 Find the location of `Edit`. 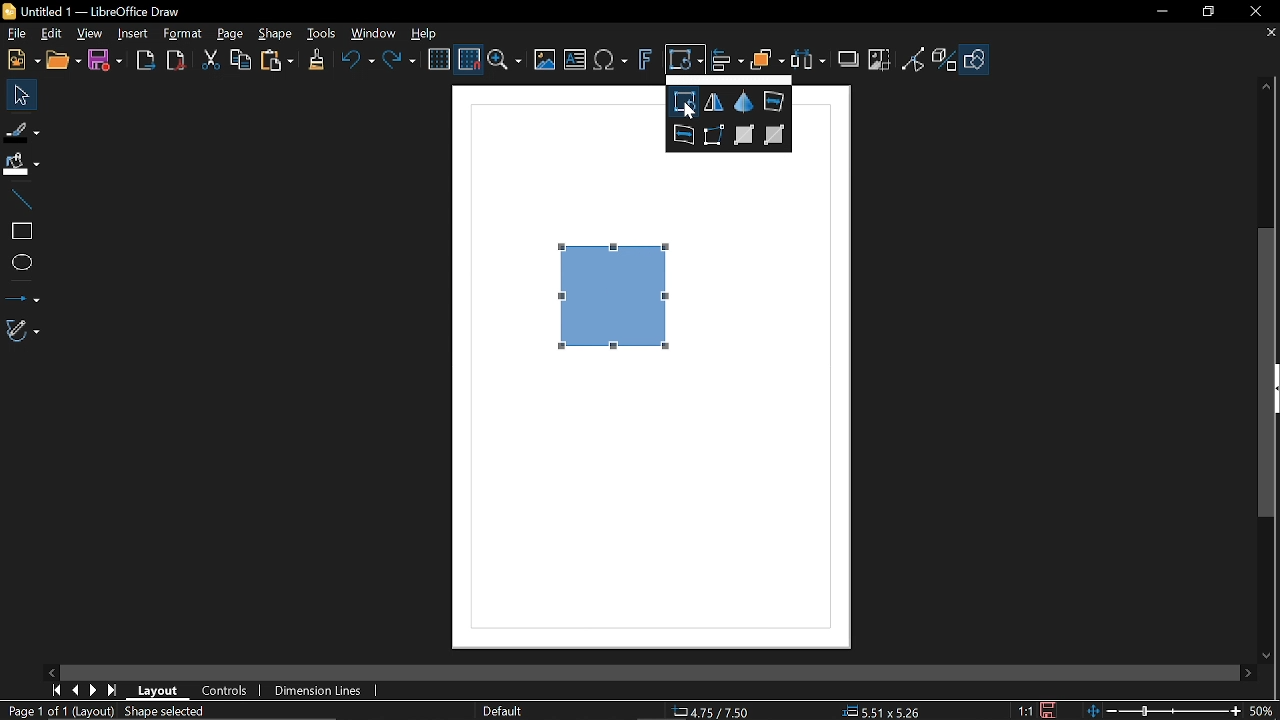

Edit is located at coordinates (50, 35).